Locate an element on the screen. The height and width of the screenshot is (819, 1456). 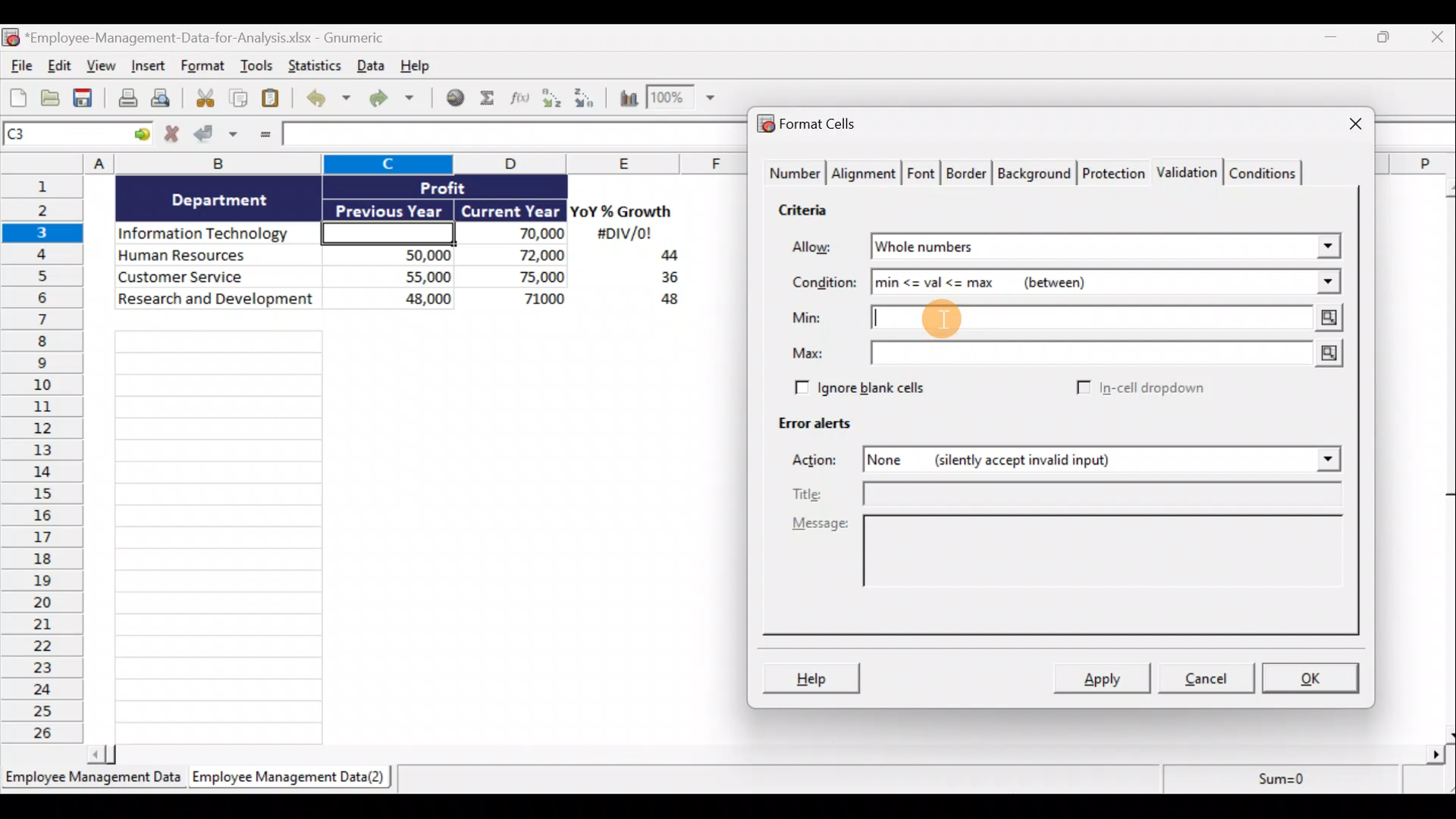
Error alerts is located at coordinates (821, 430).